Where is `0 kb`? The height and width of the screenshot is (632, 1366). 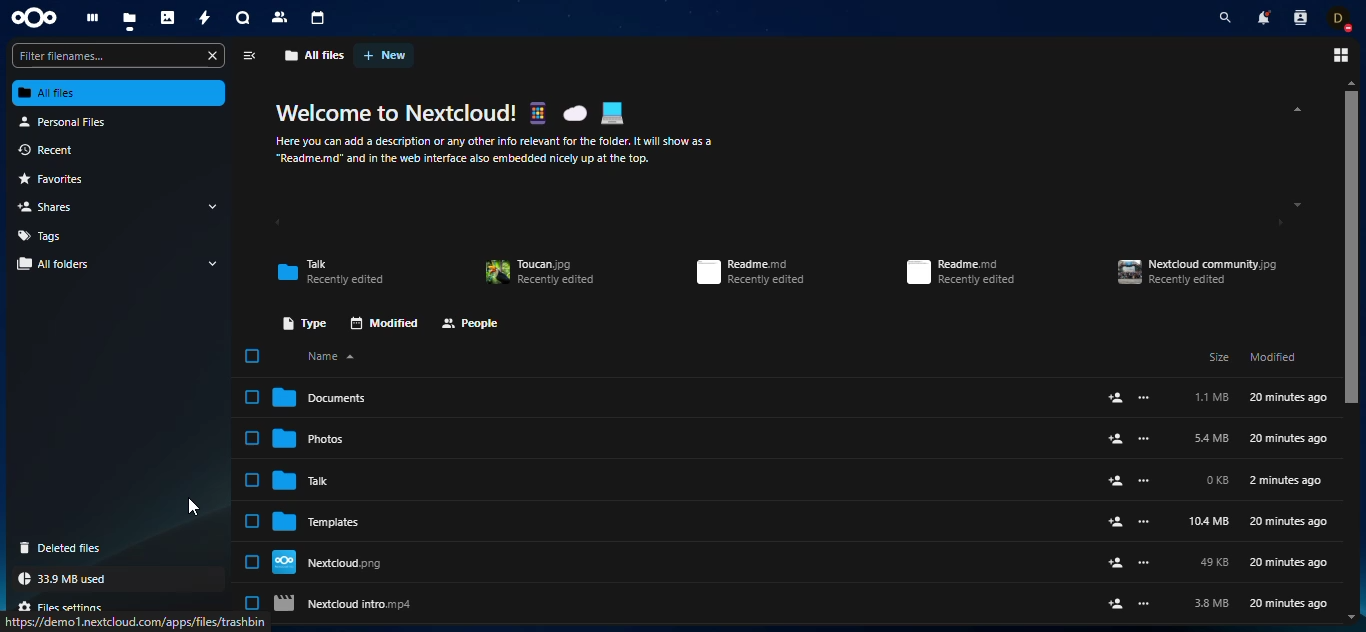
0 kb is located at coordinates (1214, 480).